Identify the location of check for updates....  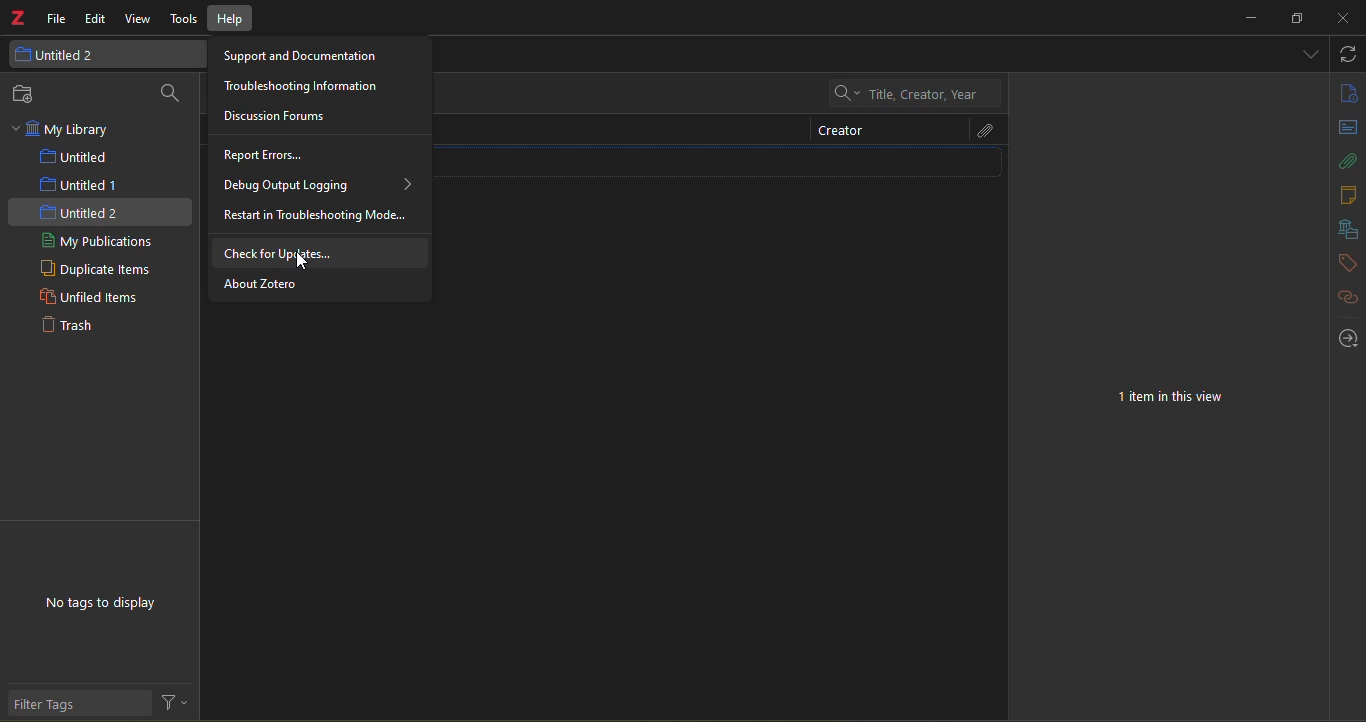
(287, 254).